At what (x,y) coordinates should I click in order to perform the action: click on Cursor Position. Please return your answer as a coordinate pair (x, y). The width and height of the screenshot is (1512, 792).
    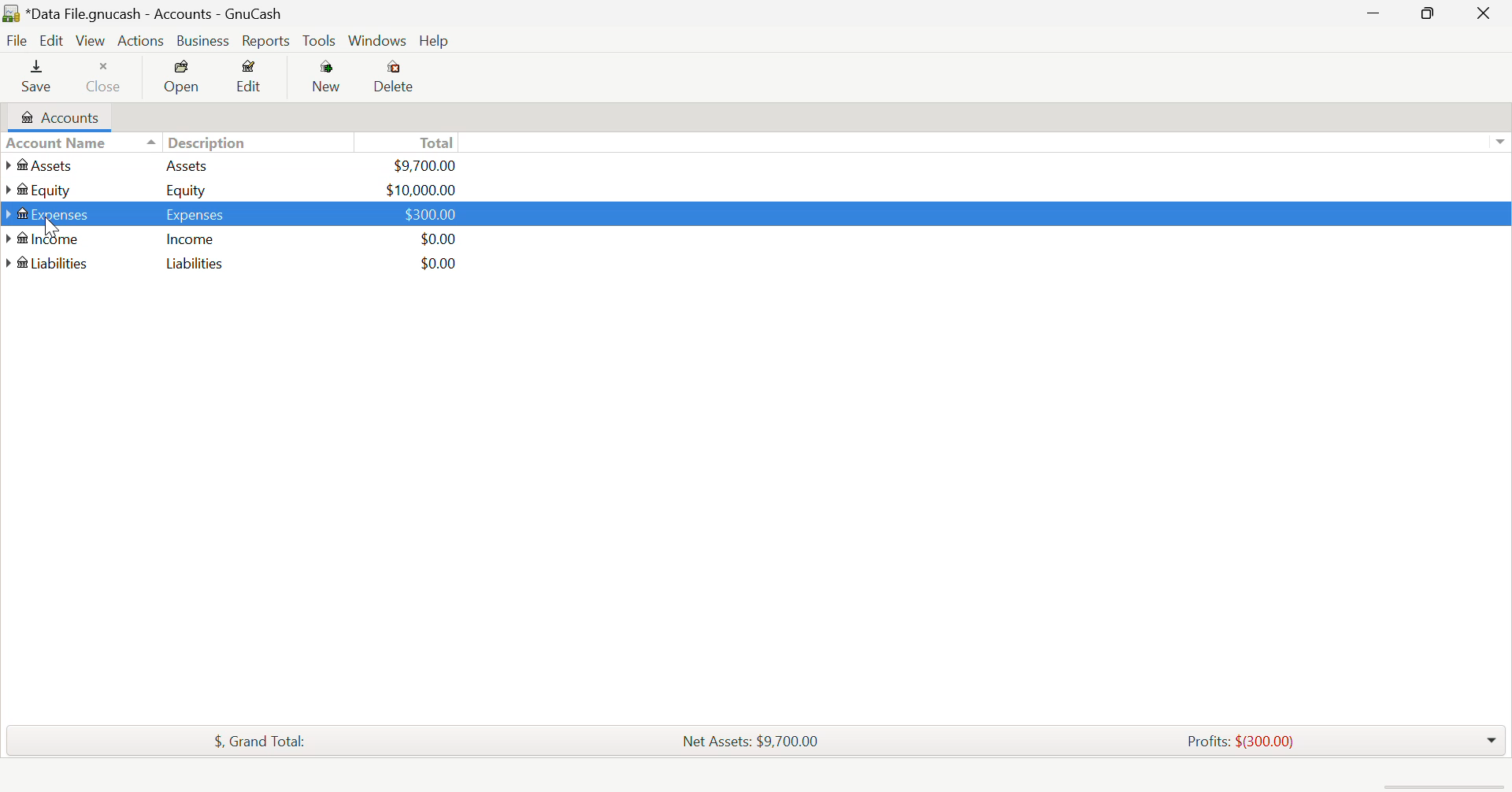
    Looking at the image, I should click on (48, 226).